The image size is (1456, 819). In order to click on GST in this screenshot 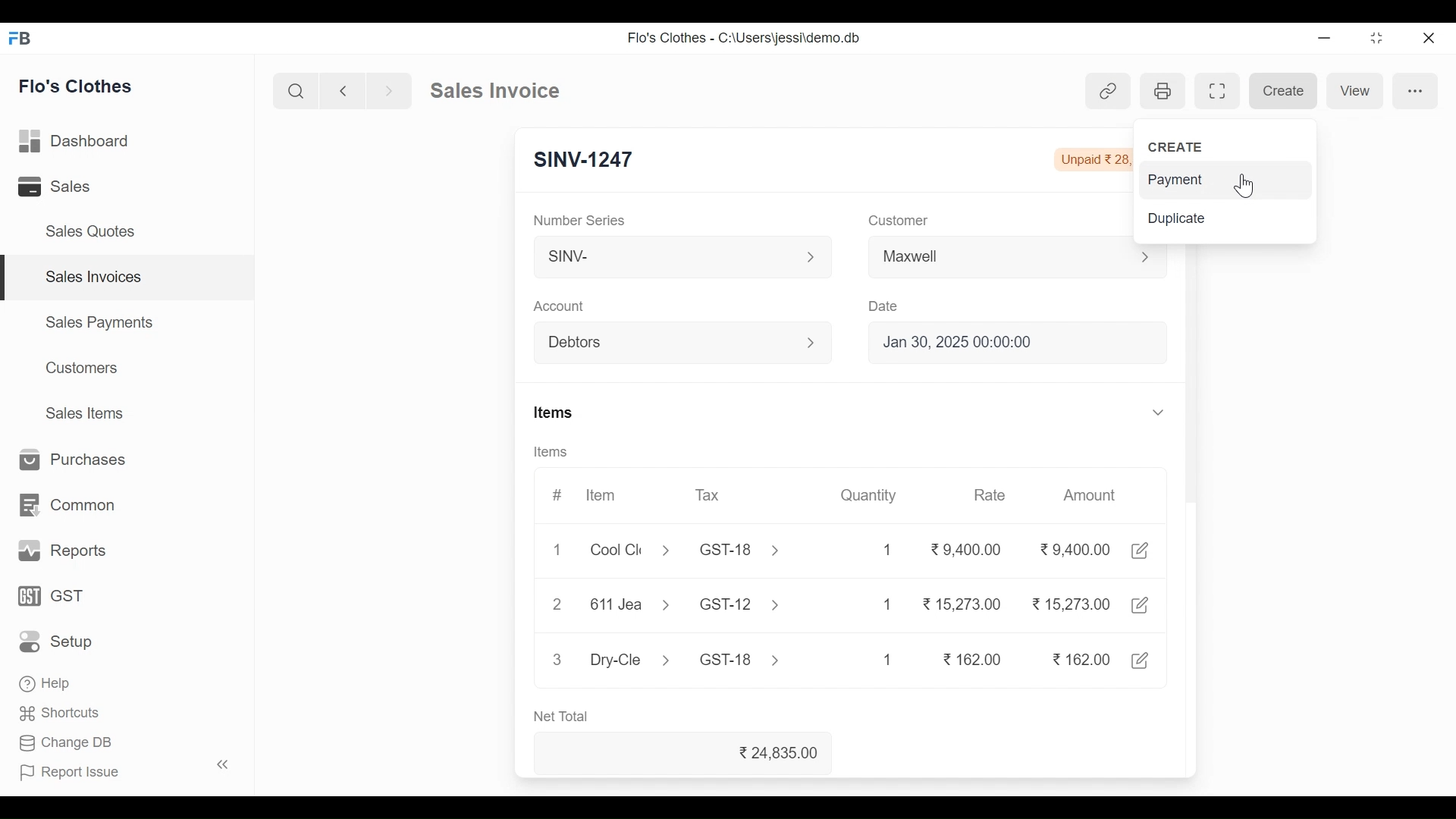, I will do `click(51, 597)`.